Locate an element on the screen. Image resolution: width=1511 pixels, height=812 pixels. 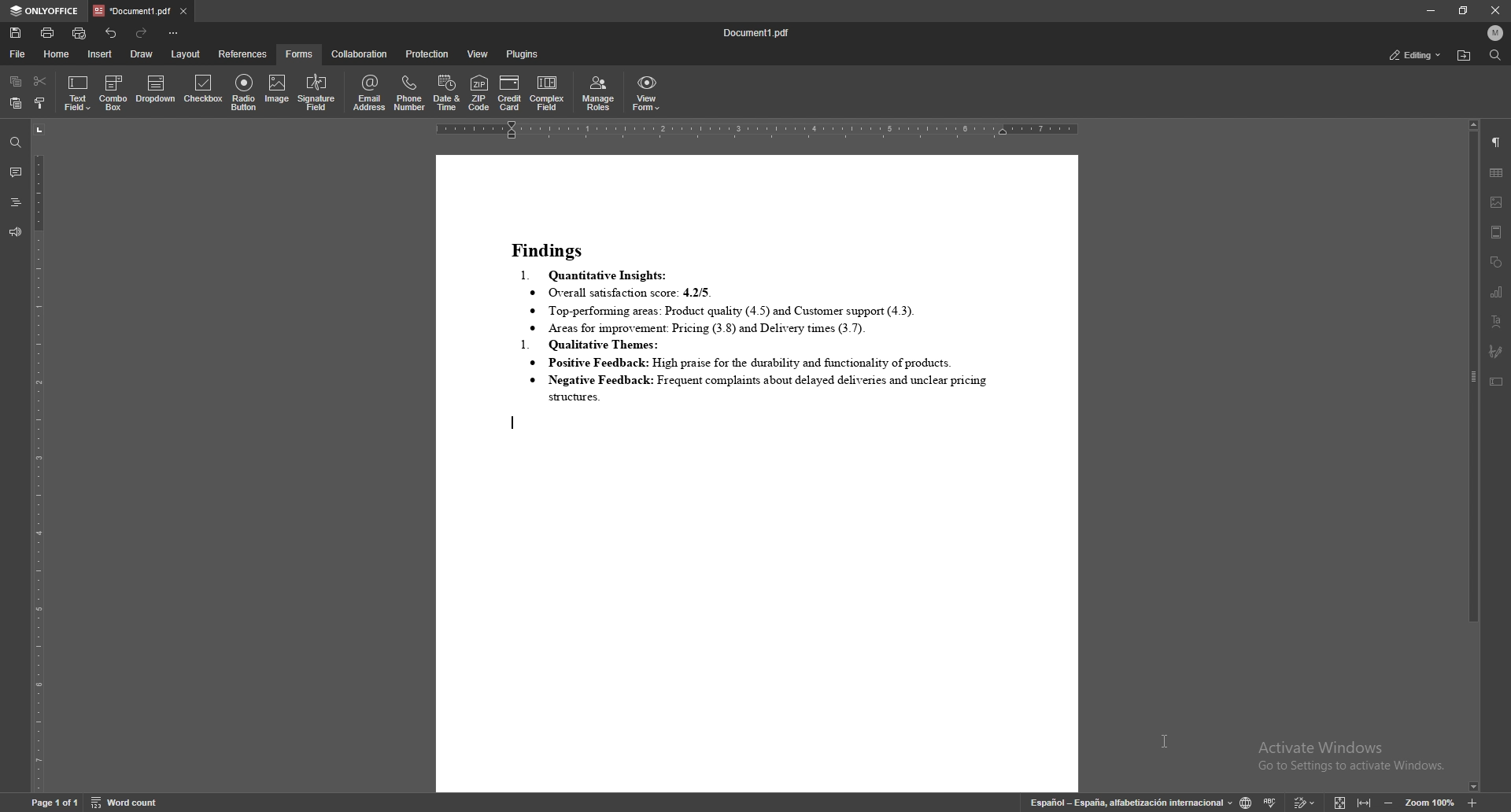
profile is located at coordinates (1495, 31).